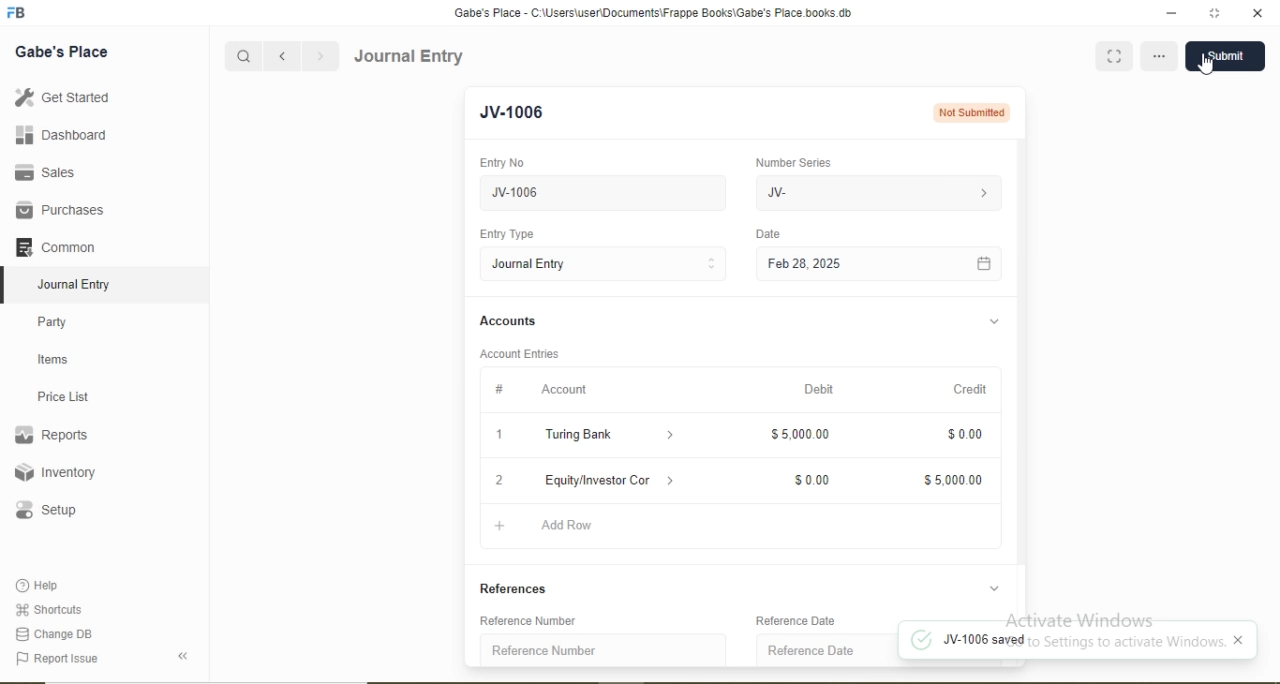  Describe the element at coordinates (970, 389) in the screenshot. I see `Credit` at that location.